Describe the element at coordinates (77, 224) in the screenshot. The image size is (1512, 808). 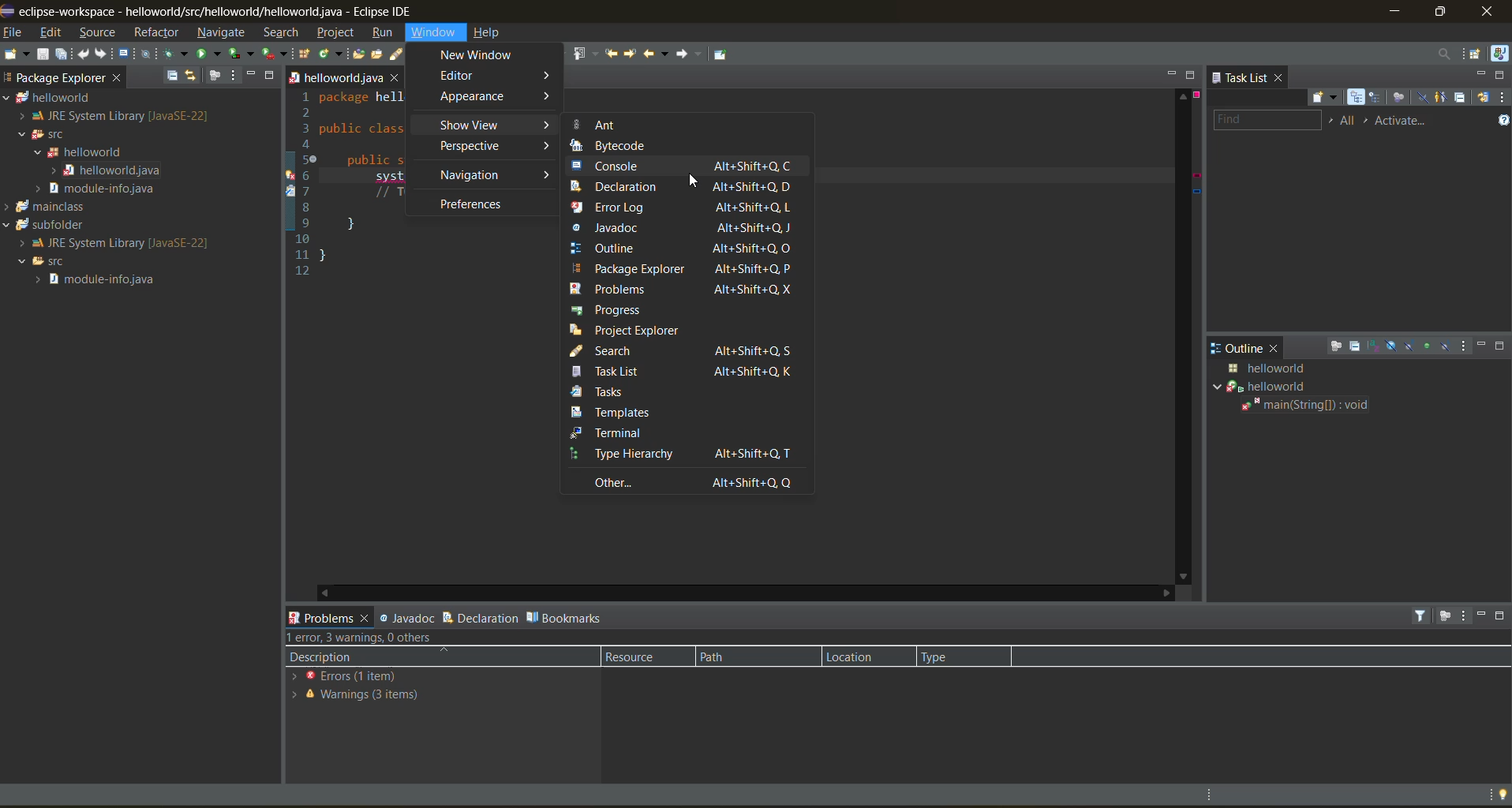
I see `subfolder` at that location.